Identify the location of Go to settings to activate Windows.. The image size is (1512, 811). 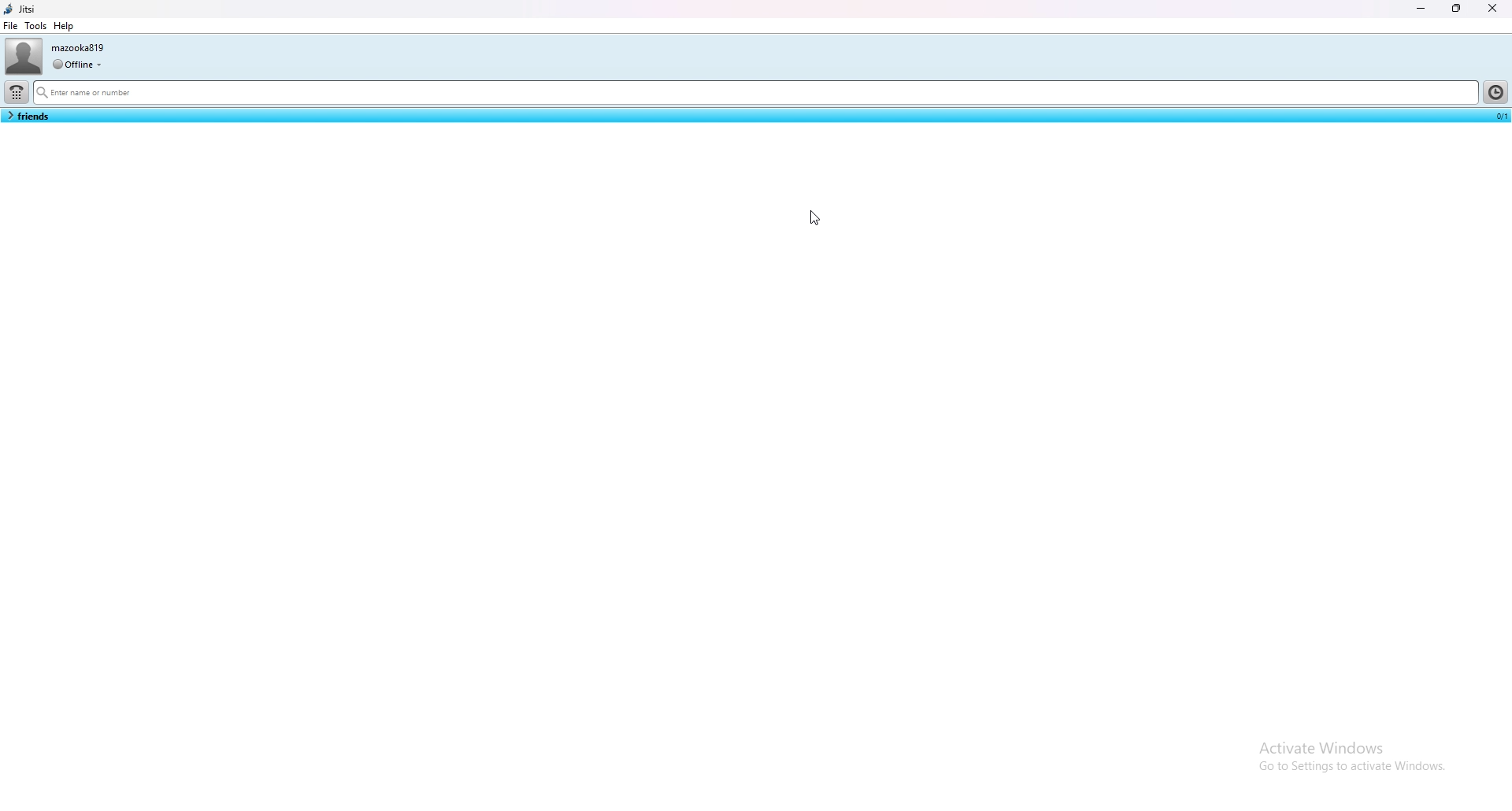
(1350, 770).